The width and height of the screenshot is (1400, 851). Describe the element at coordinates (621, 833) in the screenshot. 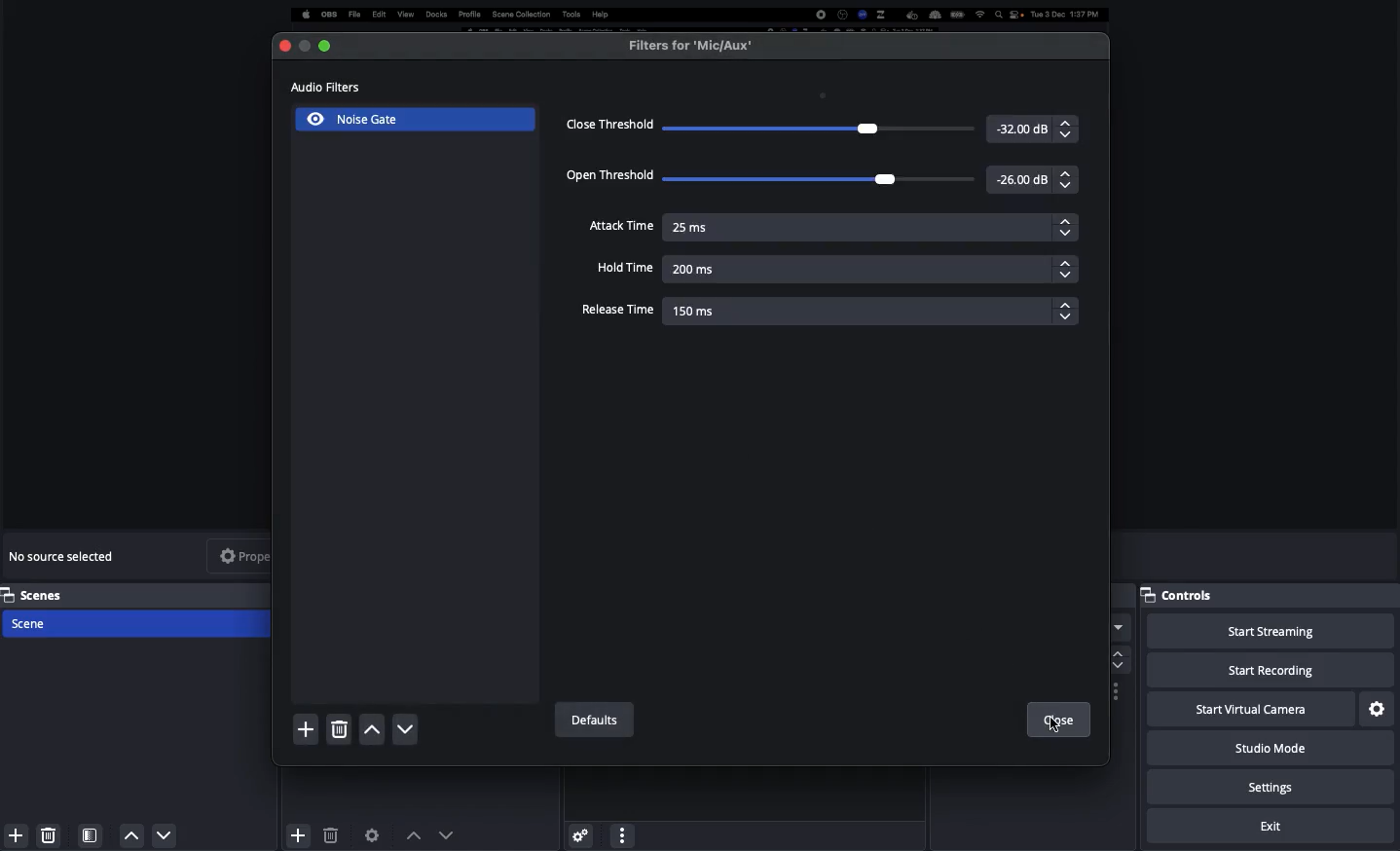

I see `More` at that location.